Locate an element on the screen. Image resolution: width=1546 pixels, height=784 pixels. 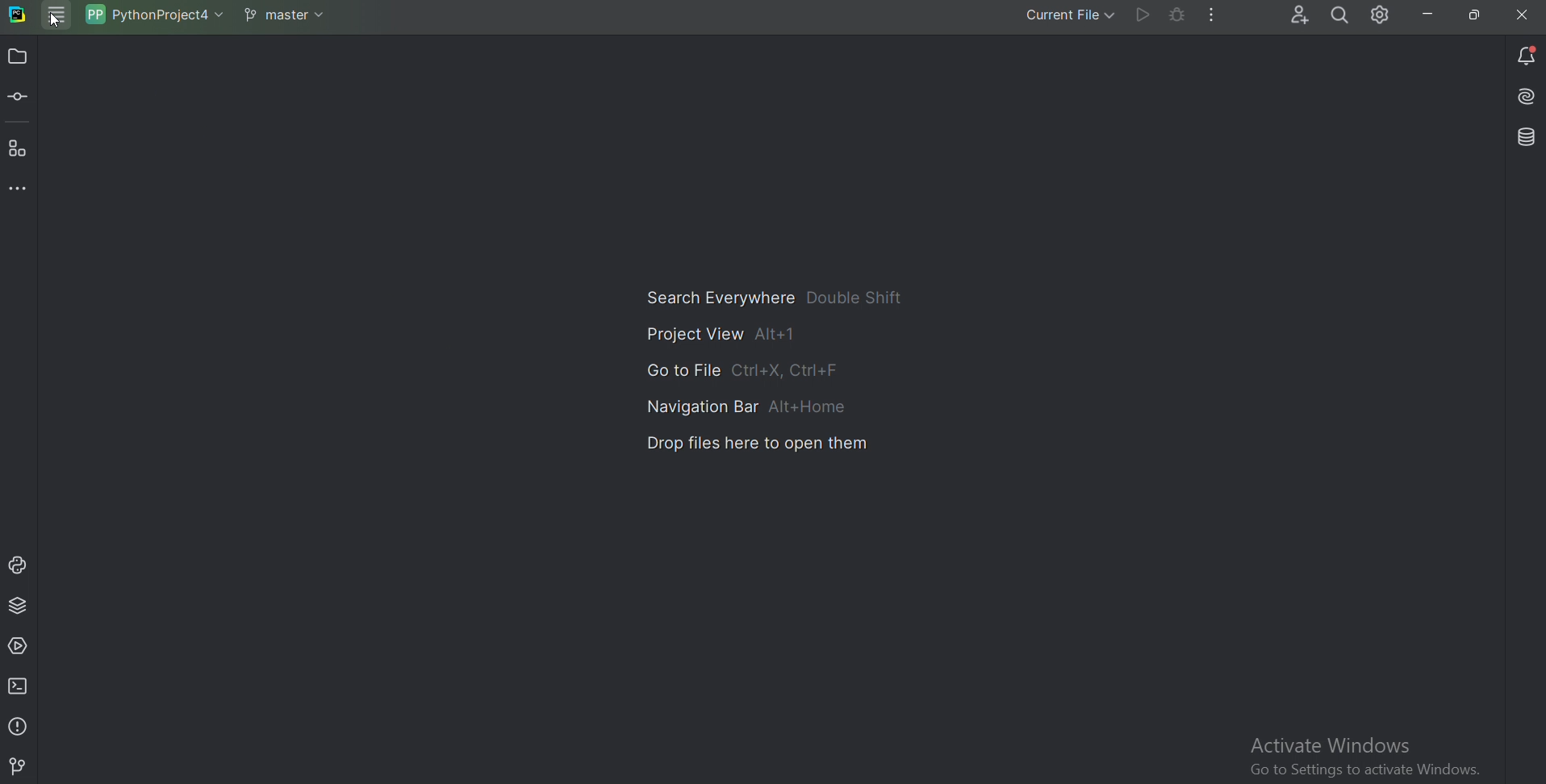
Go to file is located at coordinates (751, 372).